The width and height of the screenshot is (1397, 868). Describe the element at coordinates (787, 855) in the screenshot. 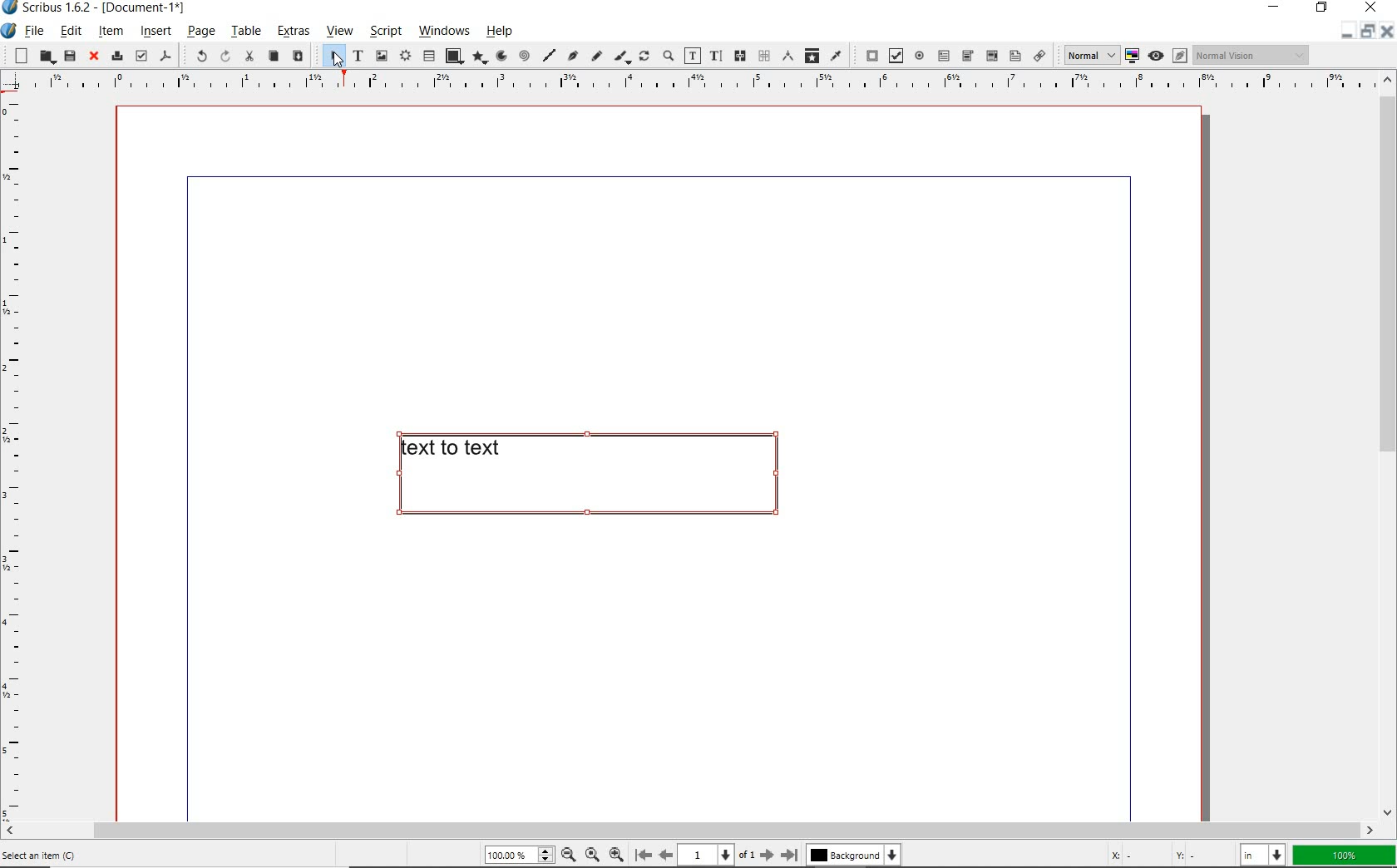

I see `Last page` at that location.